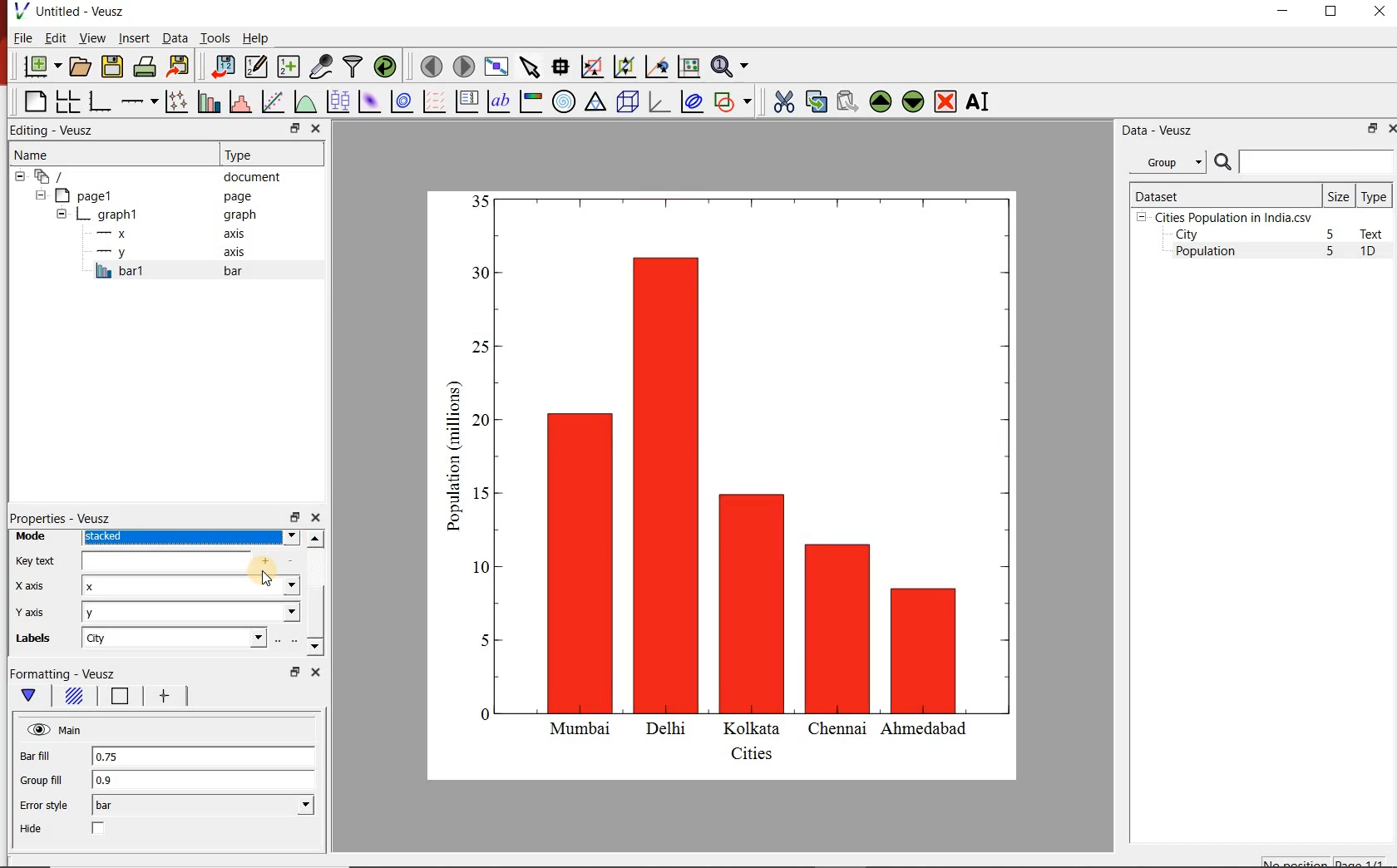 This screenshot has height=868, width=1397. Describe the element at coordinates (139, 99) in the screenshot. I see `Add an axis to the plot` at that location.